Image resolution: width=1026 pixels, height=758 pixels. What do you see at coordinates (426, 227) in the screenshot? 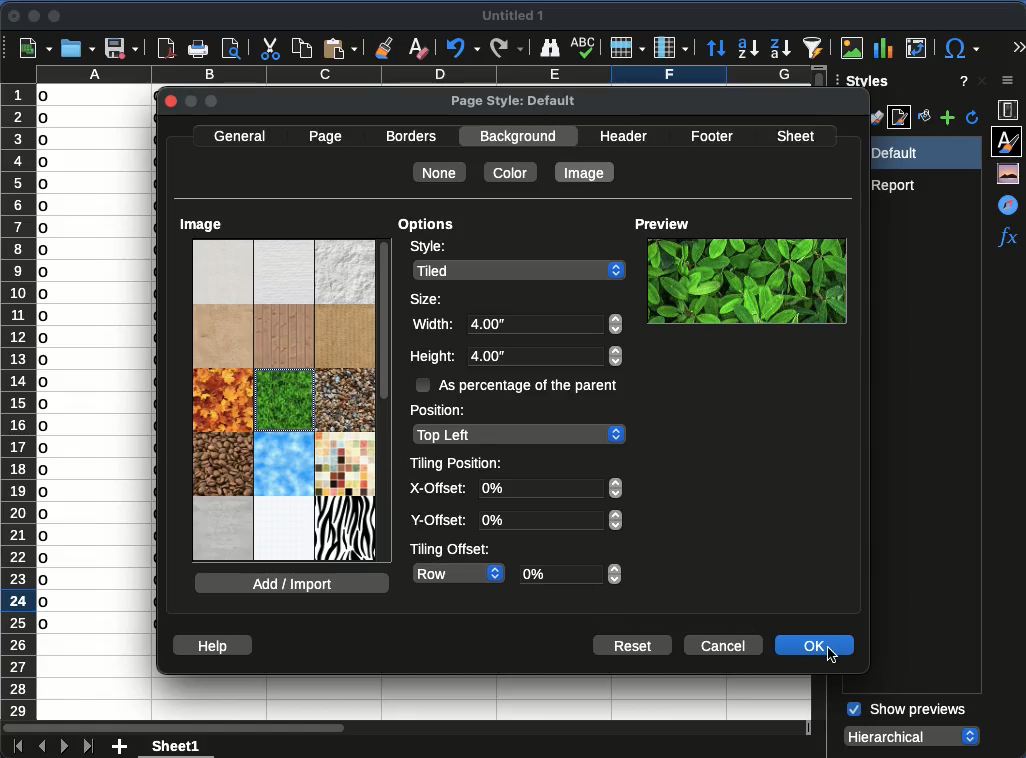
I see `options` at bounding box center [426, 227].